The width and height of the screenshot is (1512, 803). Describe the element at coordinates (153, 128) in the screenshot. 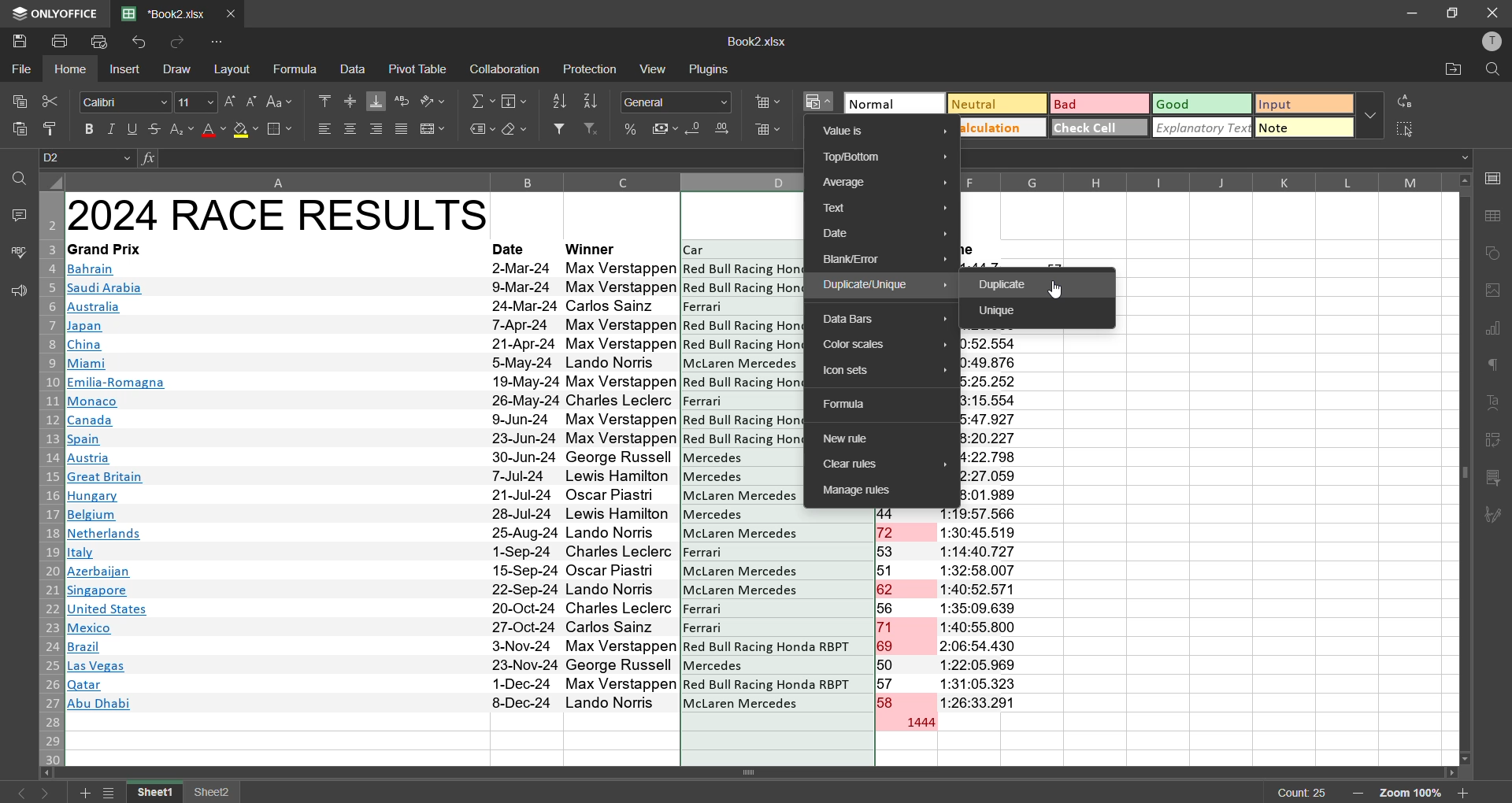

I see `strikethrough` at that location.